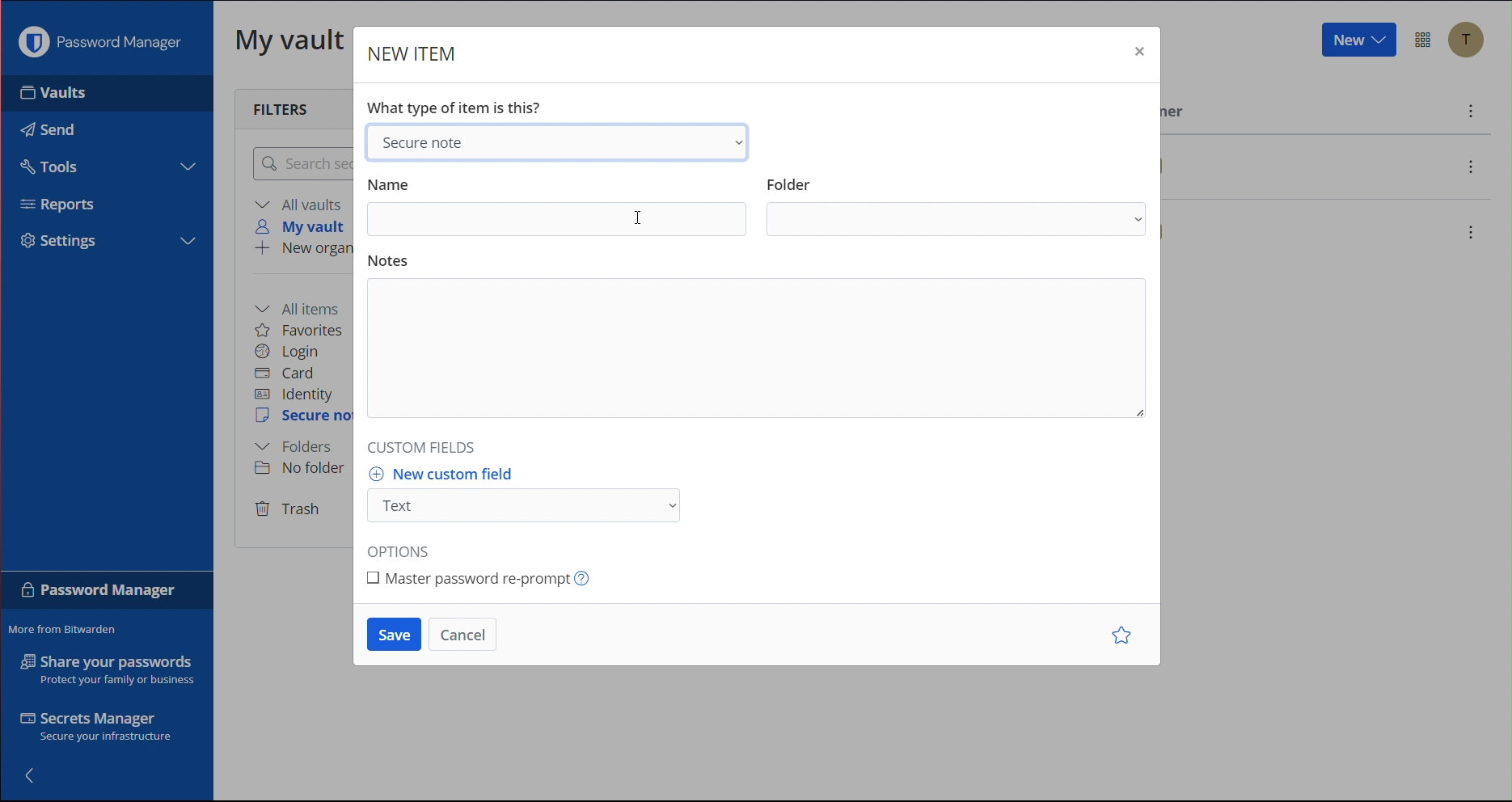 This screenshot has height=802, width=1512. Describe the element at coordinates (419, 54) in the screenshot. I see `New Item` at that location.